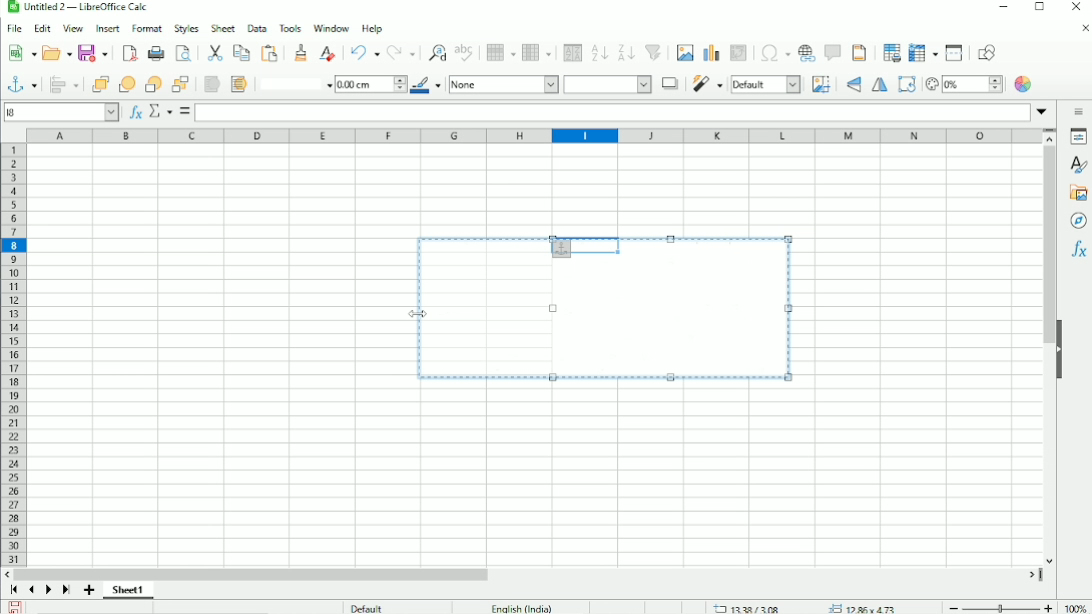 Image resolution: width=1092 pixels, height=614 pixels. What do you see at coordinates (499, 52) in the screenshot?
I see `Row` at bounding box center [499, 52].